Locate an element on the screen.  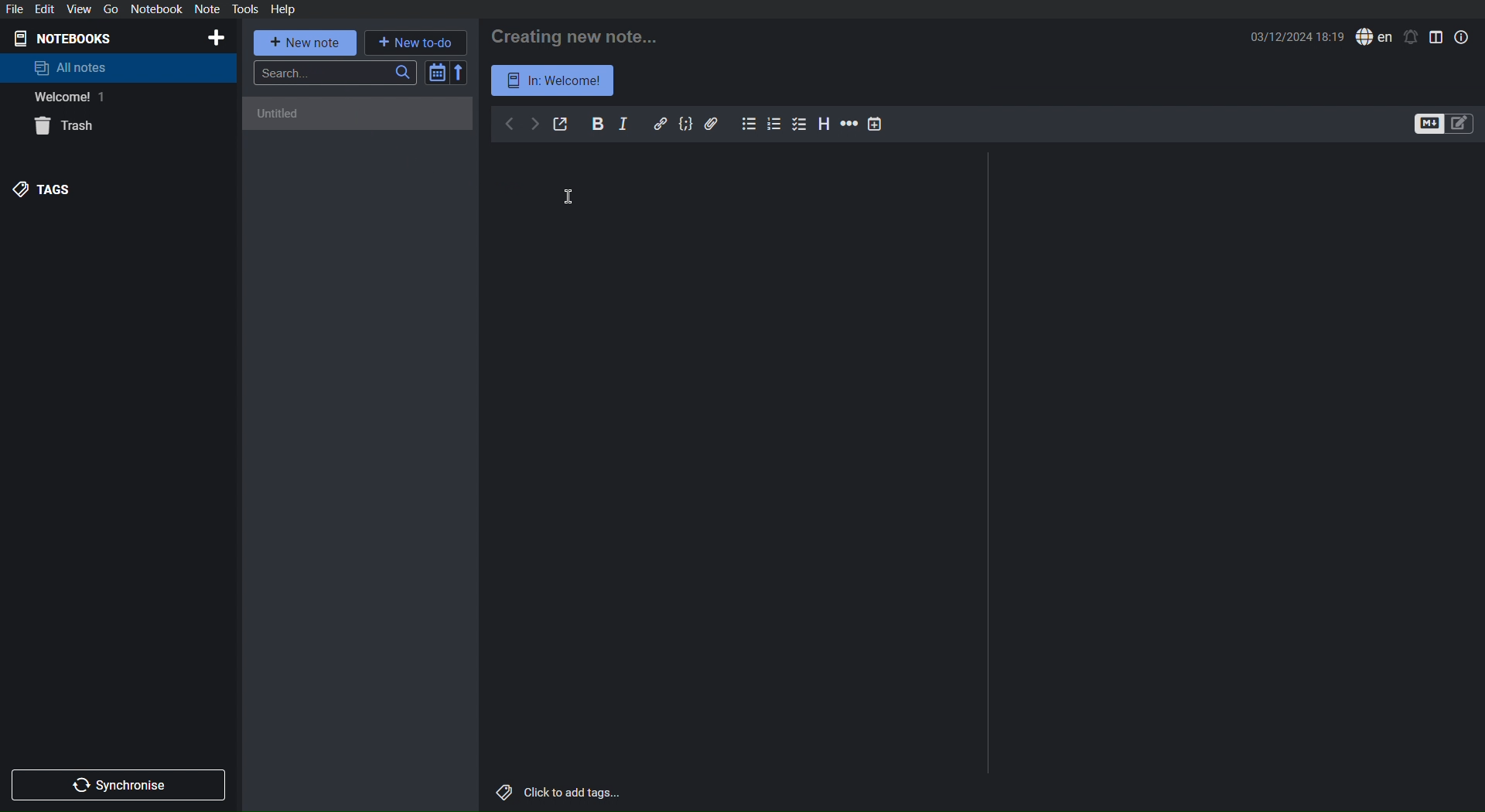
Notifications is located at coordinates (1411, 37).